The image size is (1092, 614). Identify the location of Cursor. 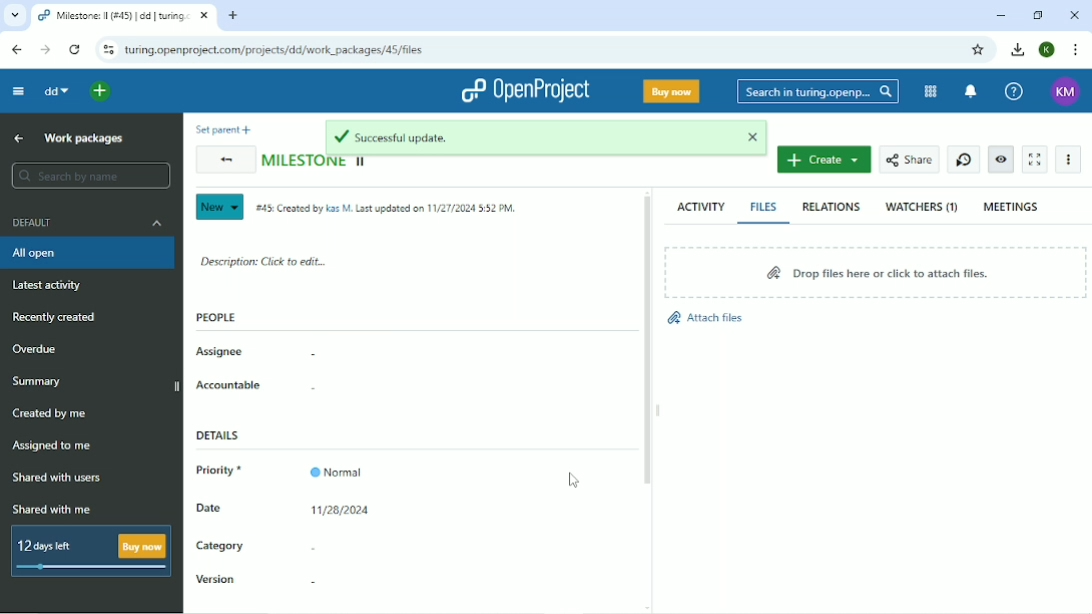
(575, 481).